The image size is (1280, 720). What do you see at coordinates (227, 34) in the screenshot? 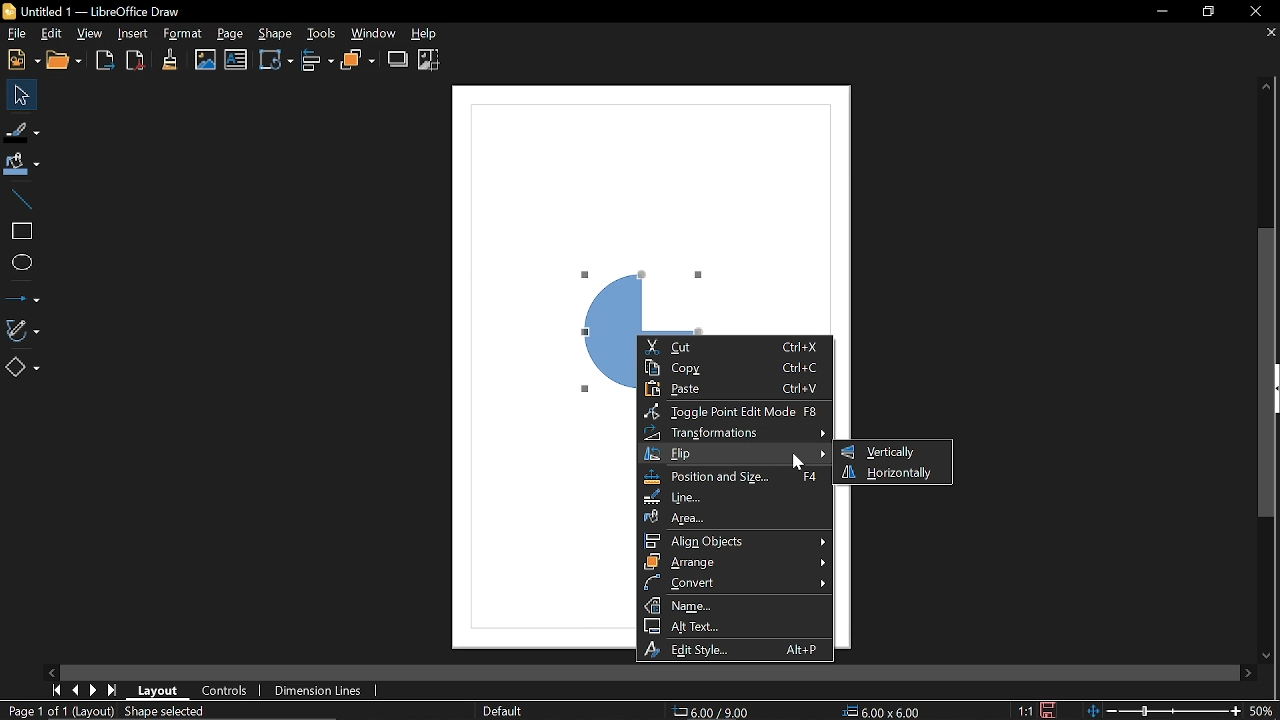
I see `Page` at bounding box center [227, 34].